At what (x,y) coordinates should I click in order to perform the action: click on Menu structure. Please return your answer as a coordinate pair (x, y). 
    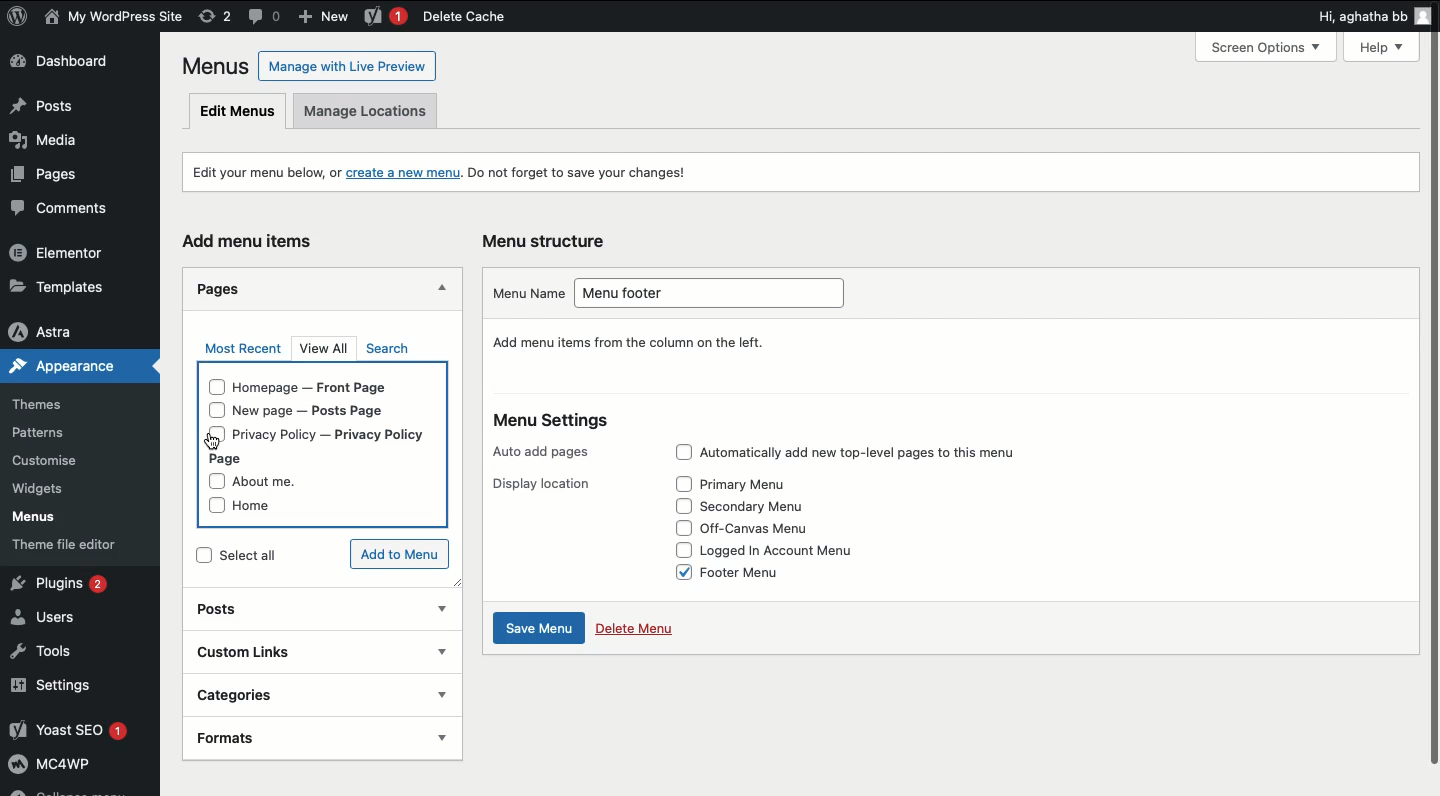
    Looking at the image, I should click on (548, 239).